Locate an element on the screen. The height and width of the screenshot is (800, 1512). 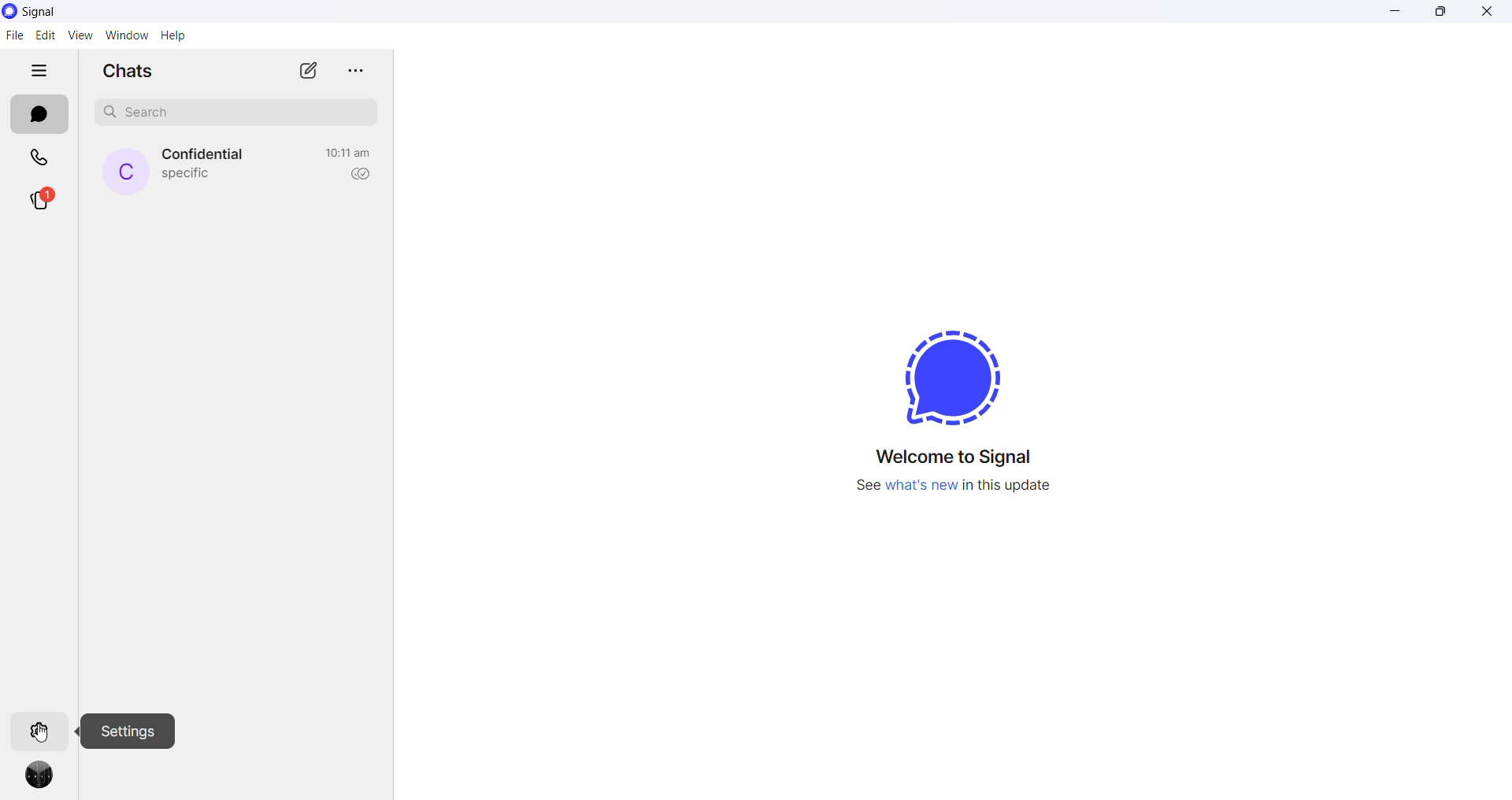
profile picture is located at coordinates (43, 780).